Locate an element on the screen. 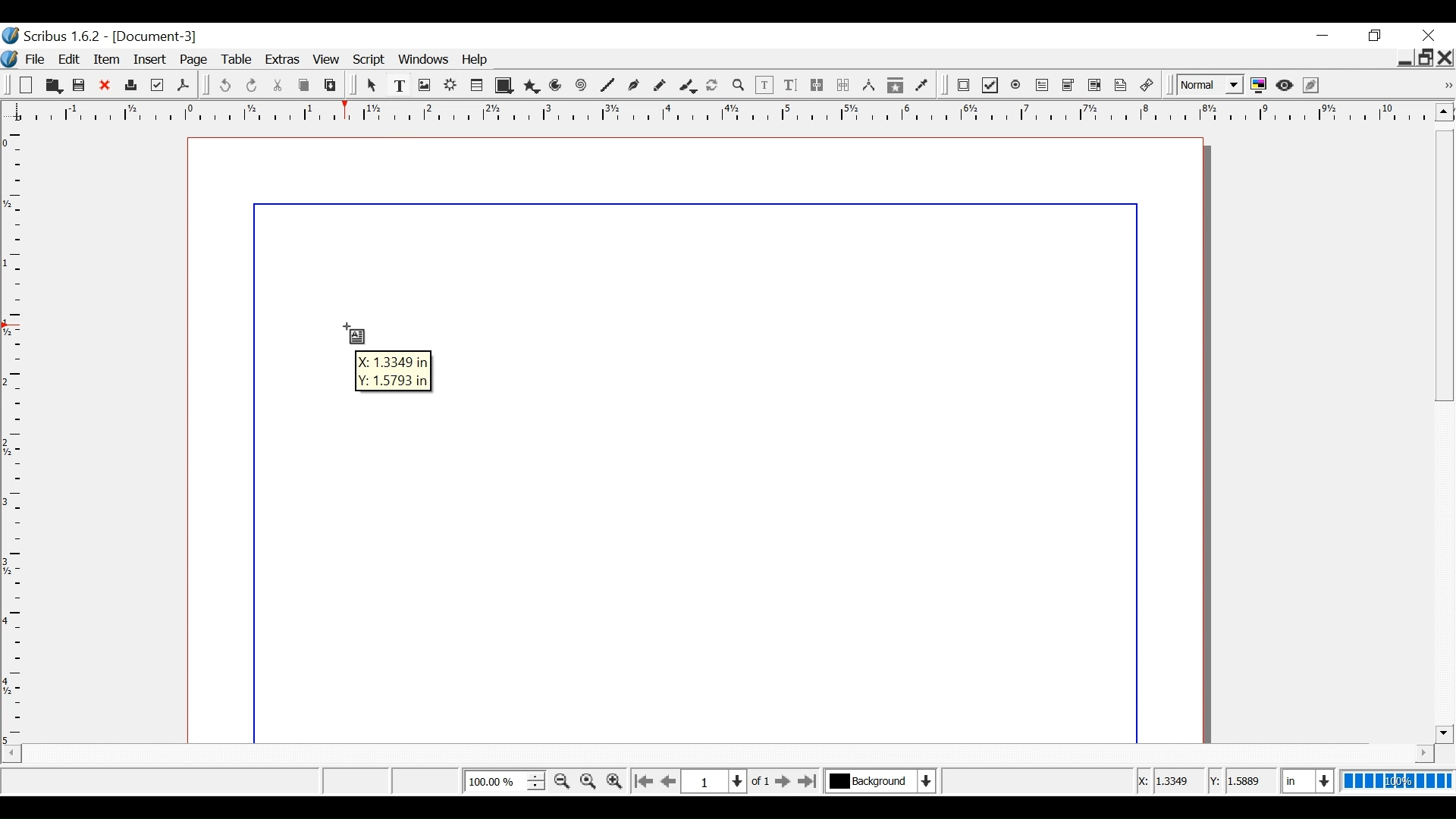  Table is located at coordinates (237, 60).